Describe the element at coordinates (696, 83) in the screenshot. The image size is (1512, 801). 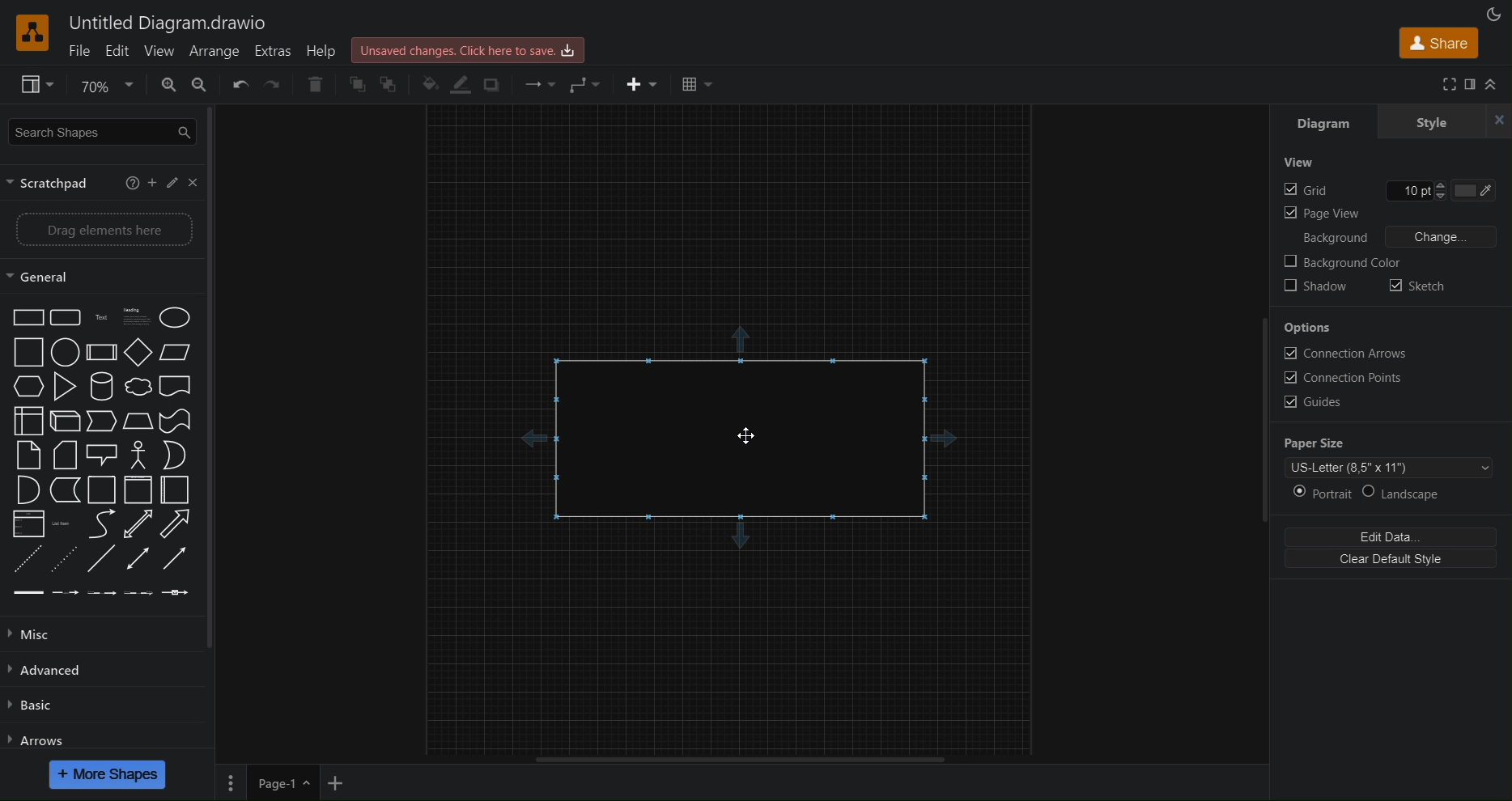
I see `Table` at that location.